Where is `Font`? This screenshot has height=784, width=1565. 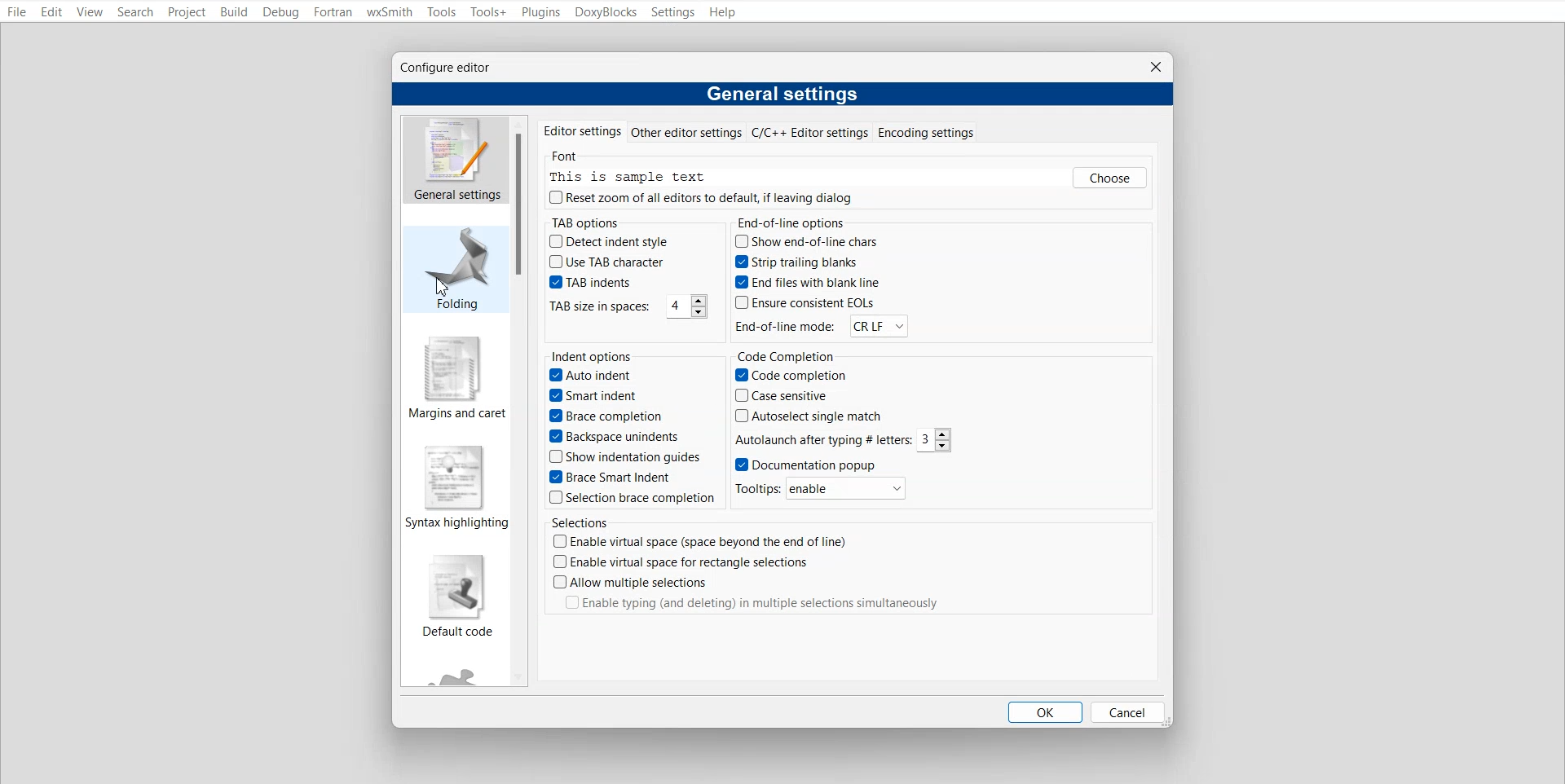
Font is located at coordinates (566, 152).